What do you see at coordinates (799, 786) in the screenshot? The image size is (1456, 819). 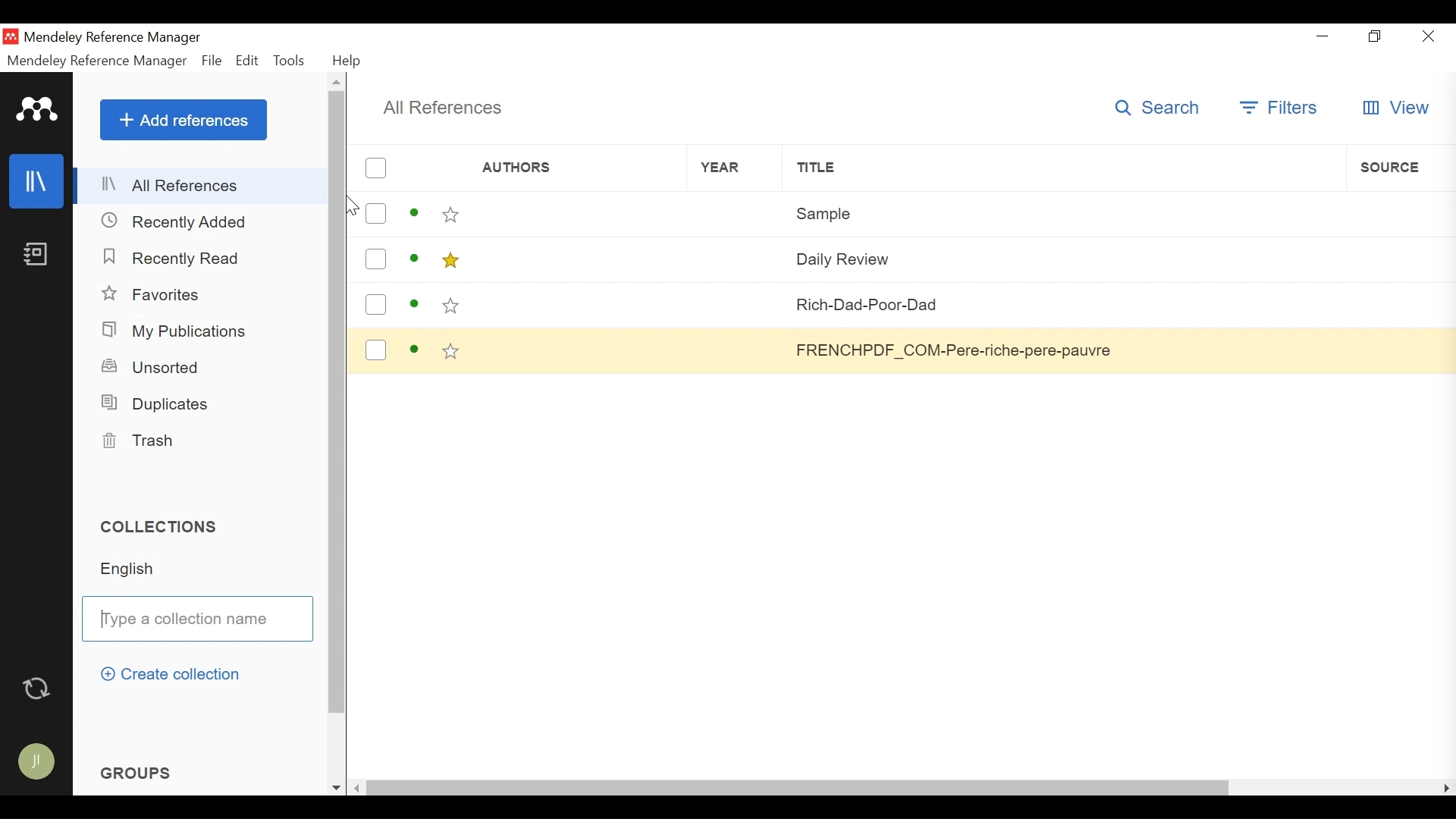 I see `Horizontal scroll bar` at bounding box center [799, 786].